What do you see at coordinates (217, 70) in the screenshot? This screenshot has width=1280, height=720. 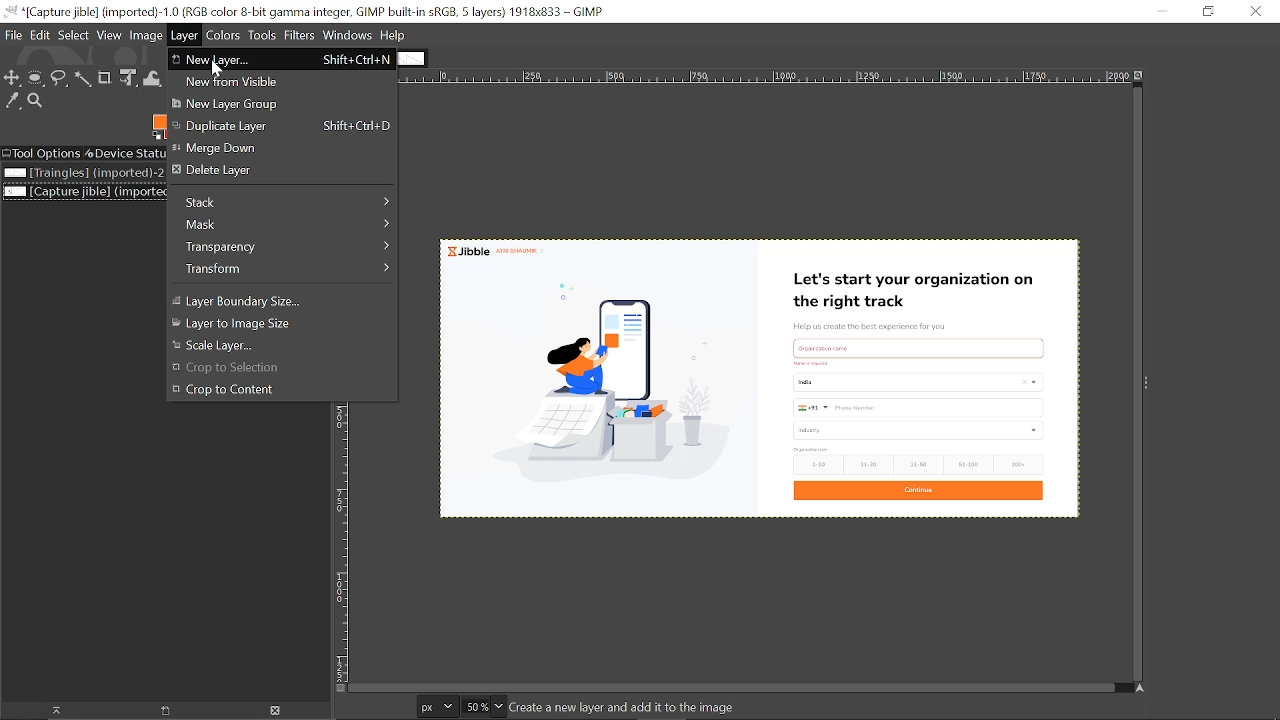 I see `cursor` at bounding box center [217, 70].